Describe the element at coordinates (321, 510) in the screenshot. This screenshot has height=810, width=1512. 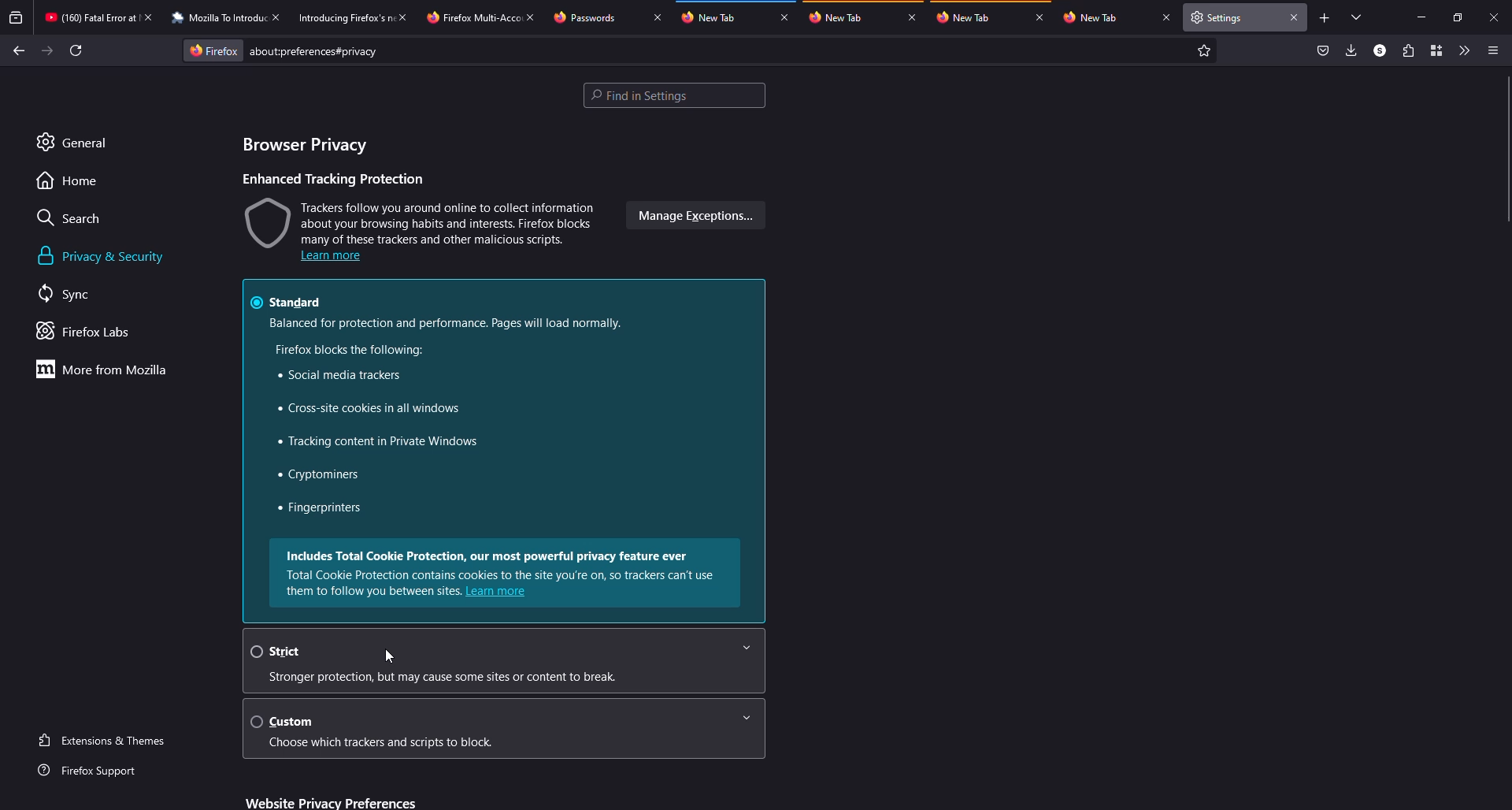
I see `fingerprinters` at that location.